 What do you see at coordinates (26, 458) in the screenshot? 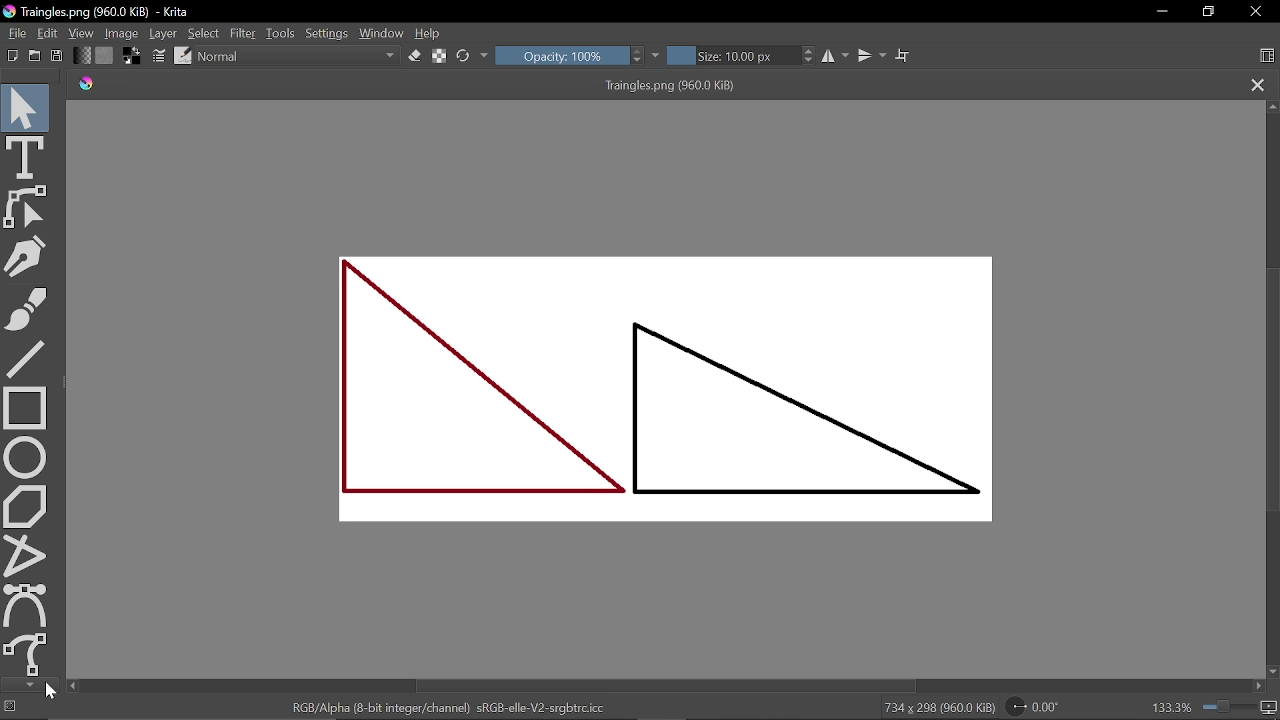
I see `Ellipse tool` at bounding box center [26, 458].